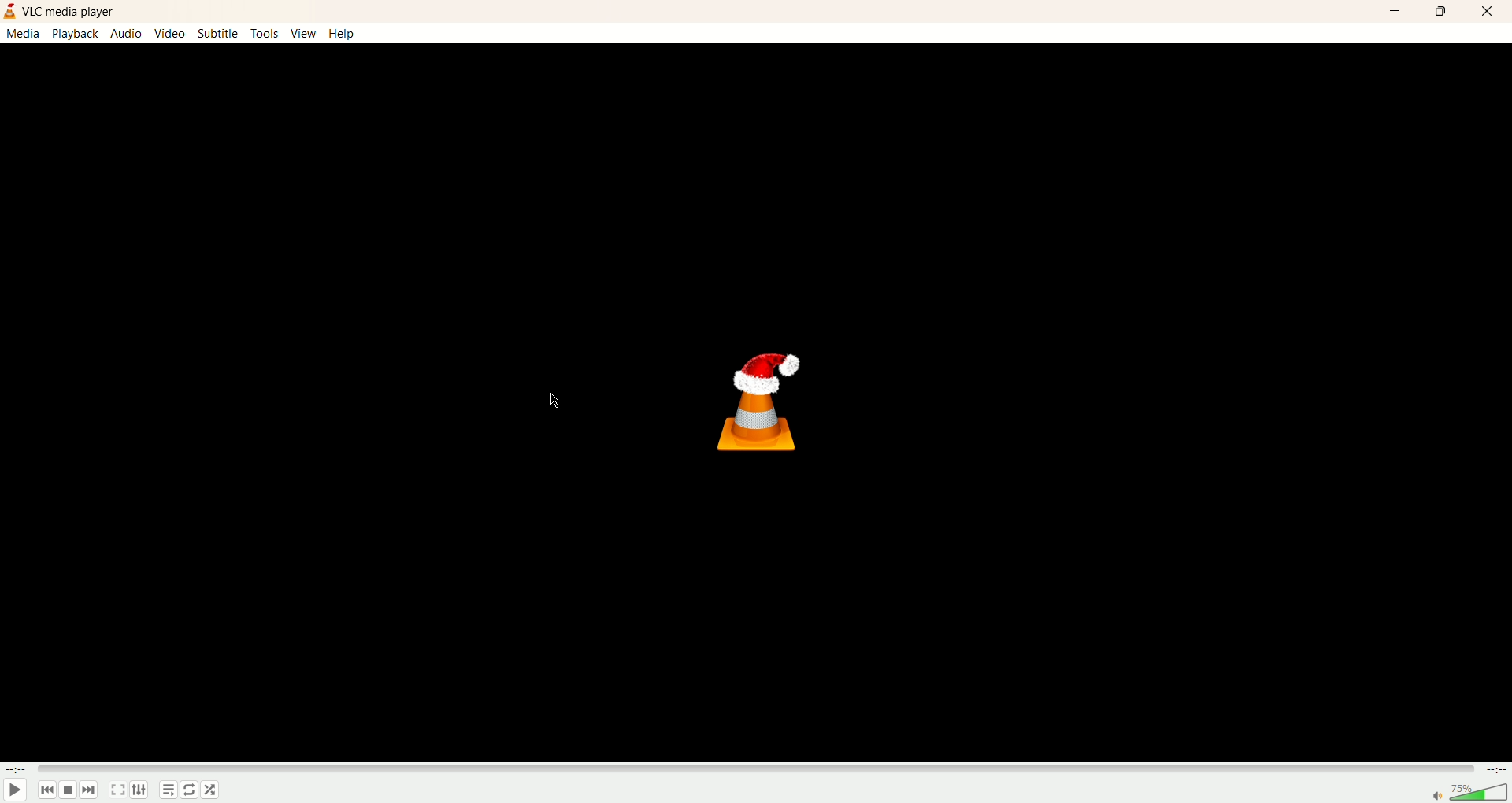 This screenshot has height=803, width=1512. What do you see at coordinates (1494, 769) in the screenshot?
I see `time left` at bounding box center [1494, 769].